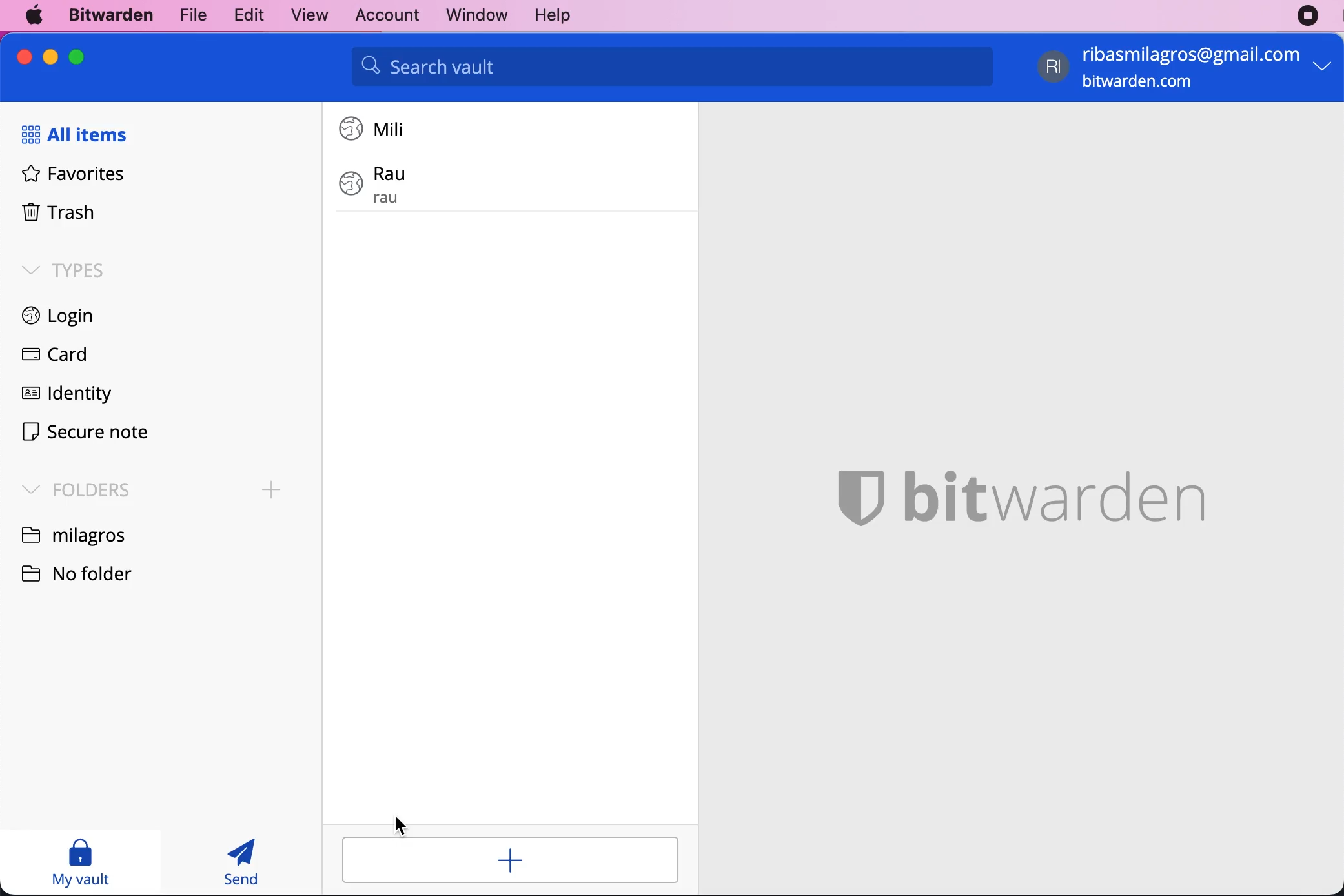 This screenshot has height=896, width=1344. I want to click on card, so click(50, 356).